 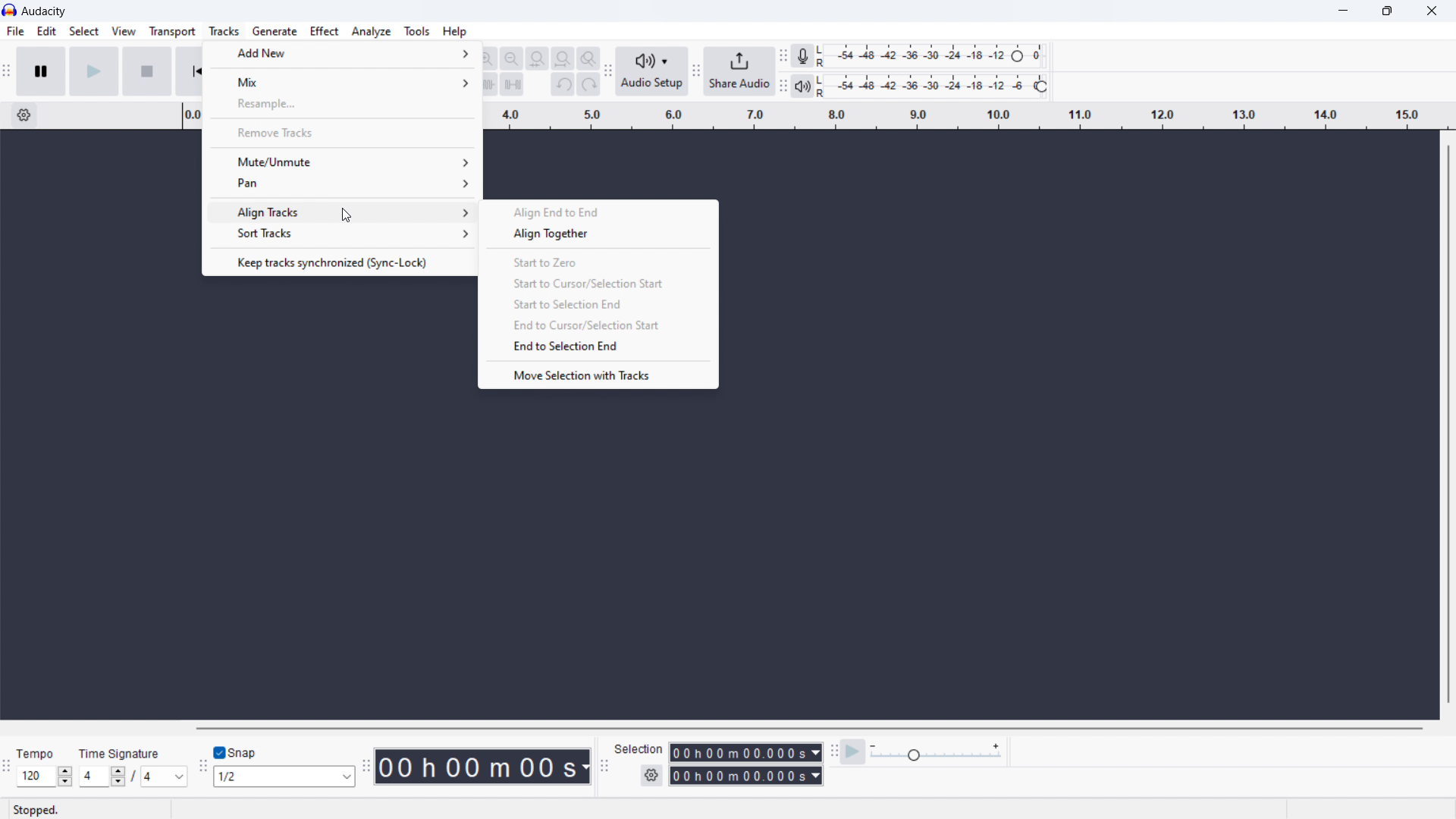 What do you see at coordinates (600, 284) in the screenshot?
I see `start to cursor/selection start` at bounding box center [600, 284].